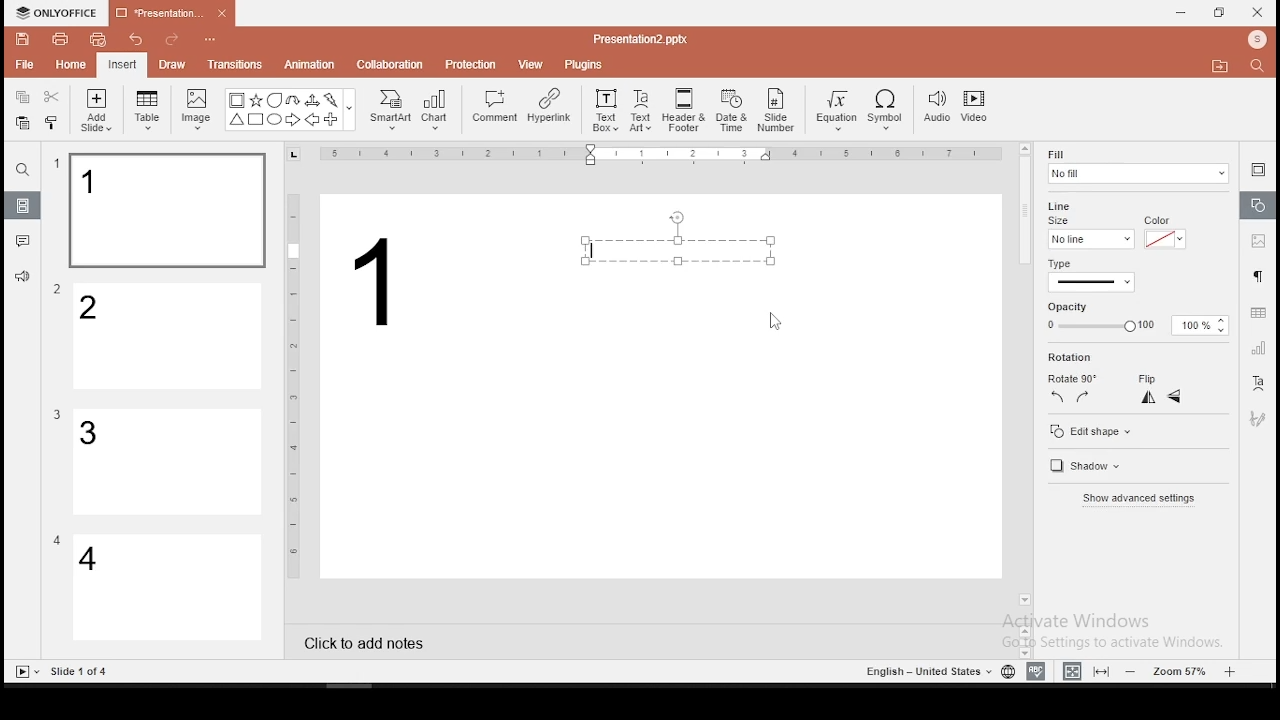 The height and width of the screenshot is (720, 1280). What do you see at coordinates (173, 64) in the screenshot?
I see `draw` at bounding box center [173, 64].